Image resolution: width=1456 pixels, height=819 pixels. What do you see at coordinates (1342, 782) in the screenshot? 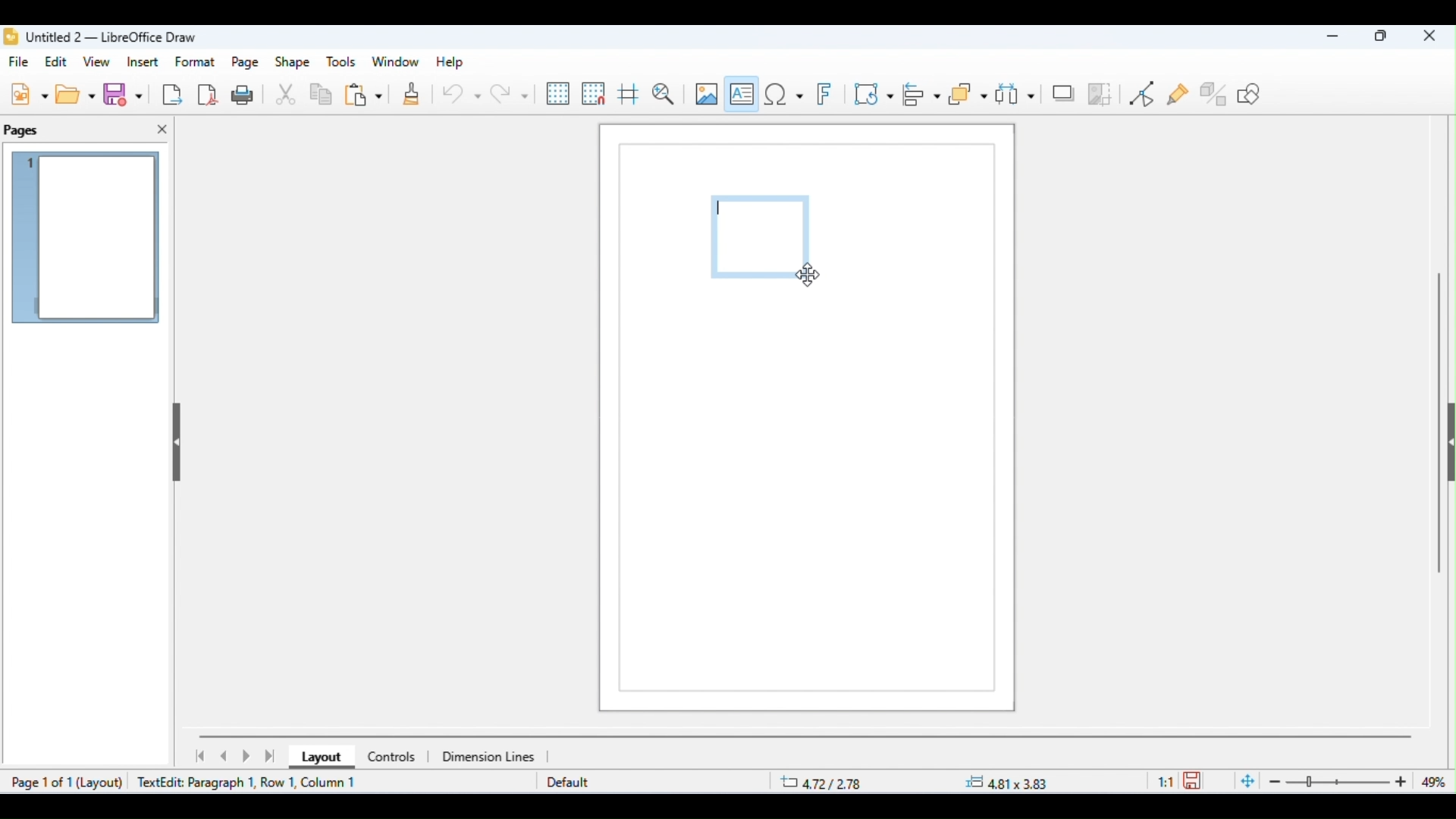
I see `zoom` at bounding box center [1342, 782].